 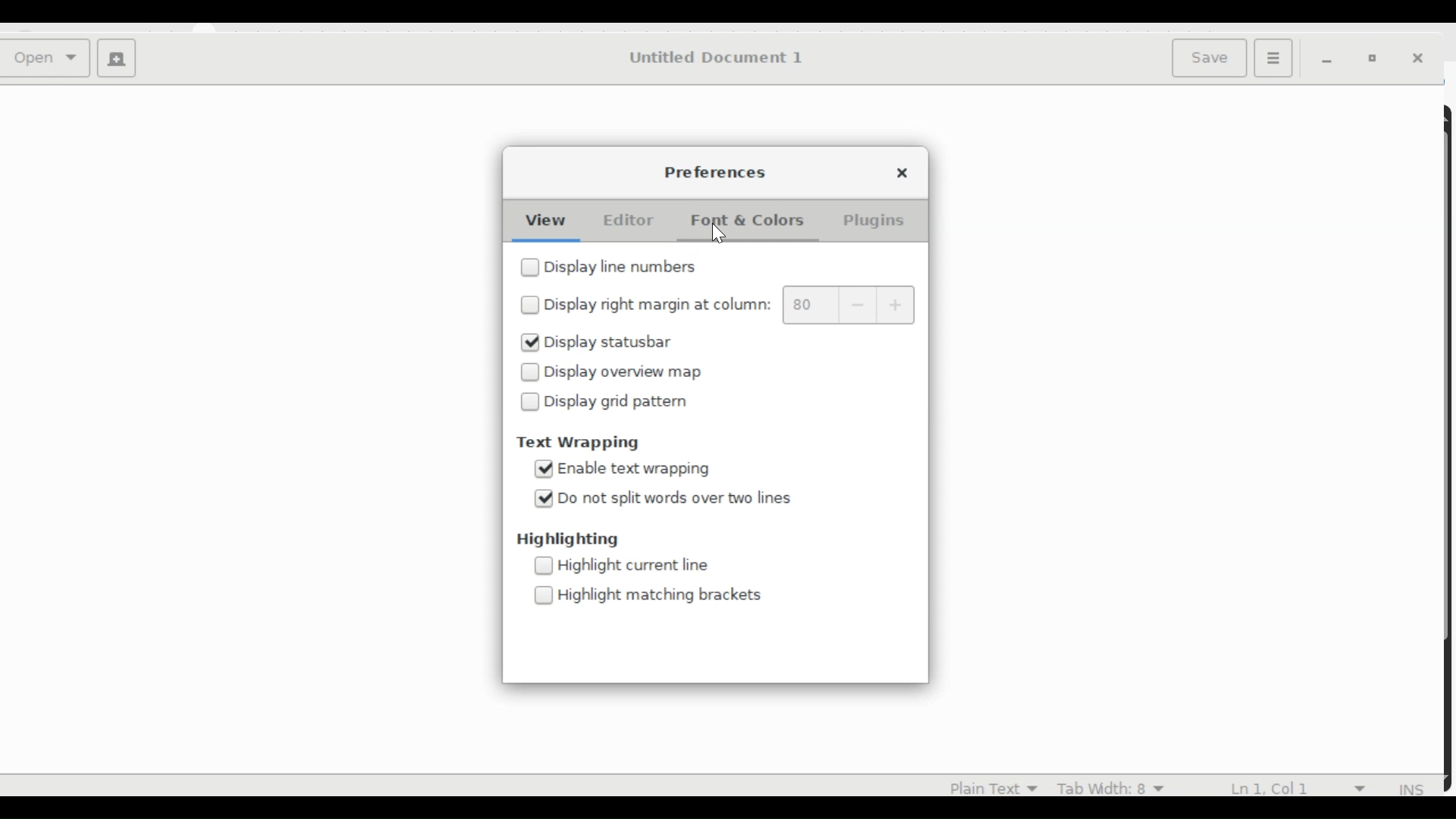 I want to click on checkbox, so click(x=531, y=268).